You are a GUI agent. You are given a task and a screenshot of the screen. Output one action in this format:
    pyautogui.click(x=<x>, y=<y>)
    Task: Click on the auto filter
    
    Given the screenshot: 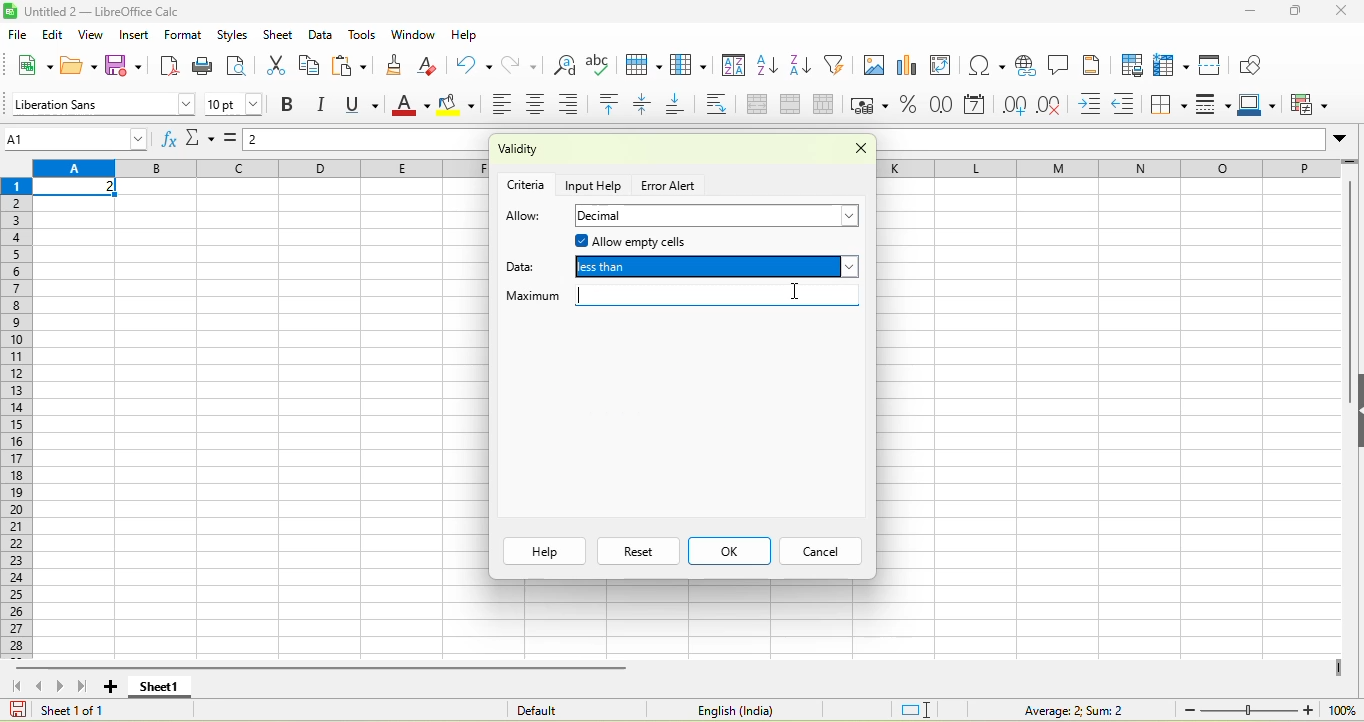 What is the action you would take?
    pyautogui.click(x=838, y=64)
    